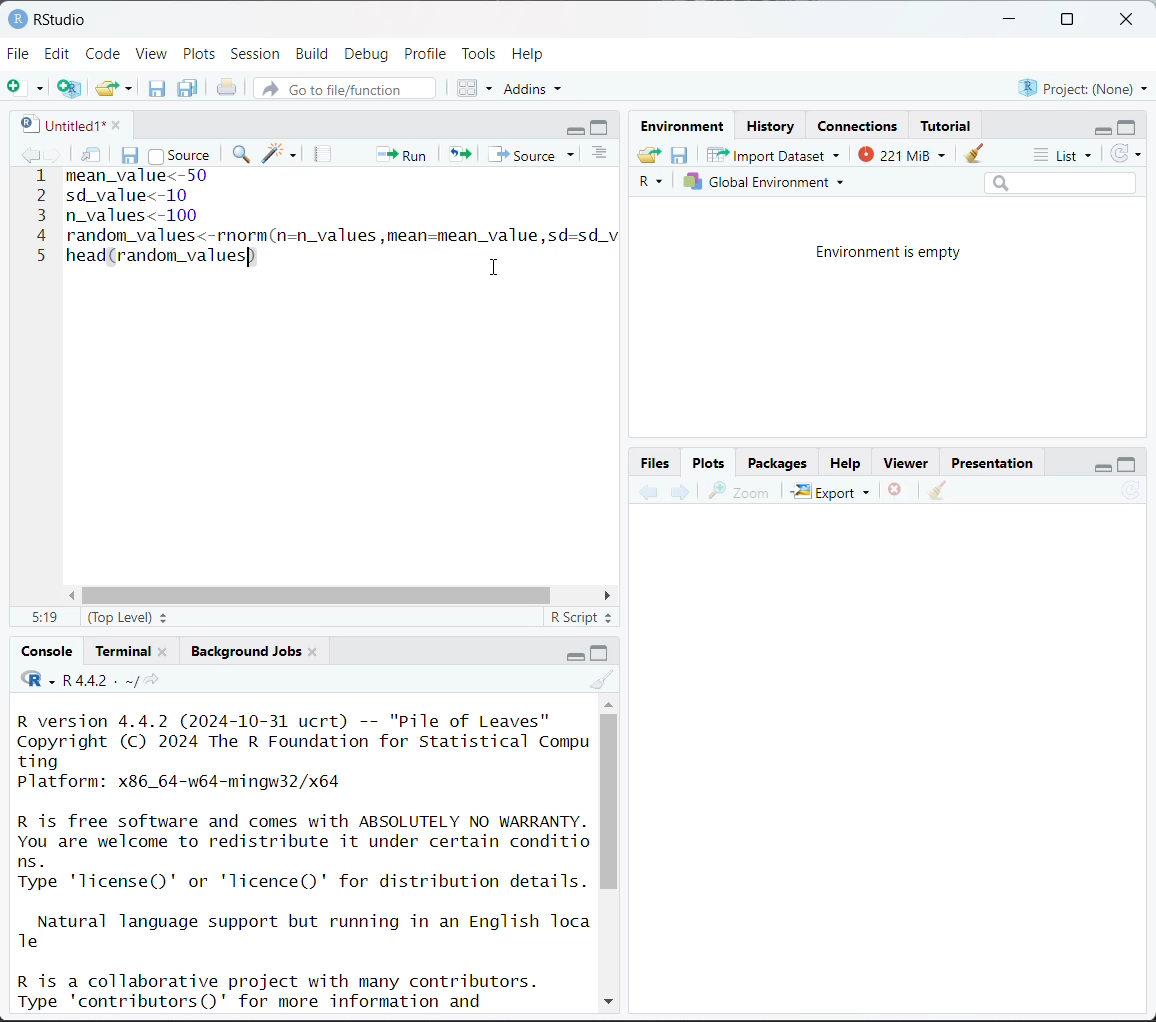 This screenshot has width=1156, height=1022. Describe the element at coordinates (1128, 126) in the screenshot. I see `maximize` at that location.